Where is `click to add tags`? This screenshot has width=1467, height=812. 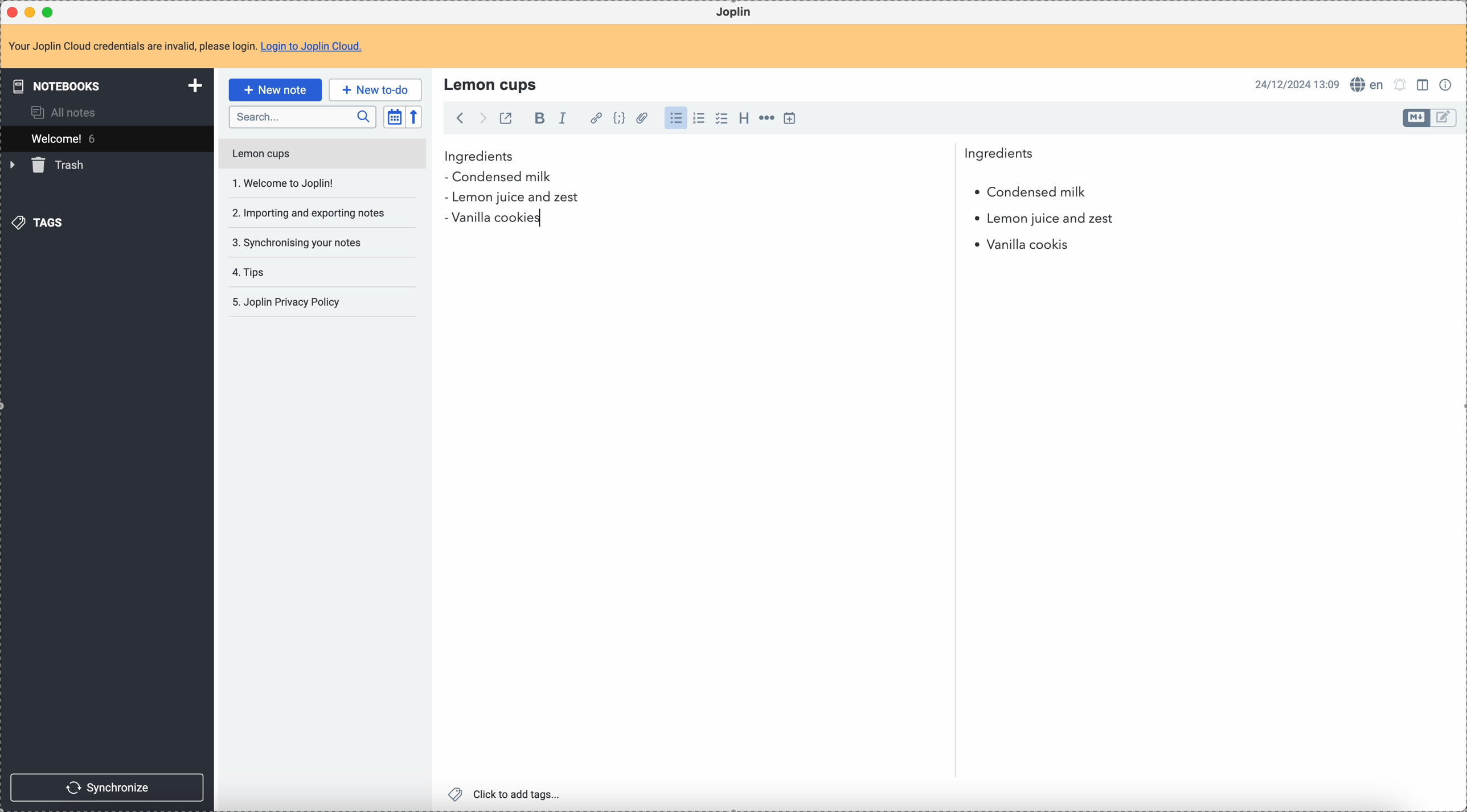
click to add tags is located at coordinates (507, 793).